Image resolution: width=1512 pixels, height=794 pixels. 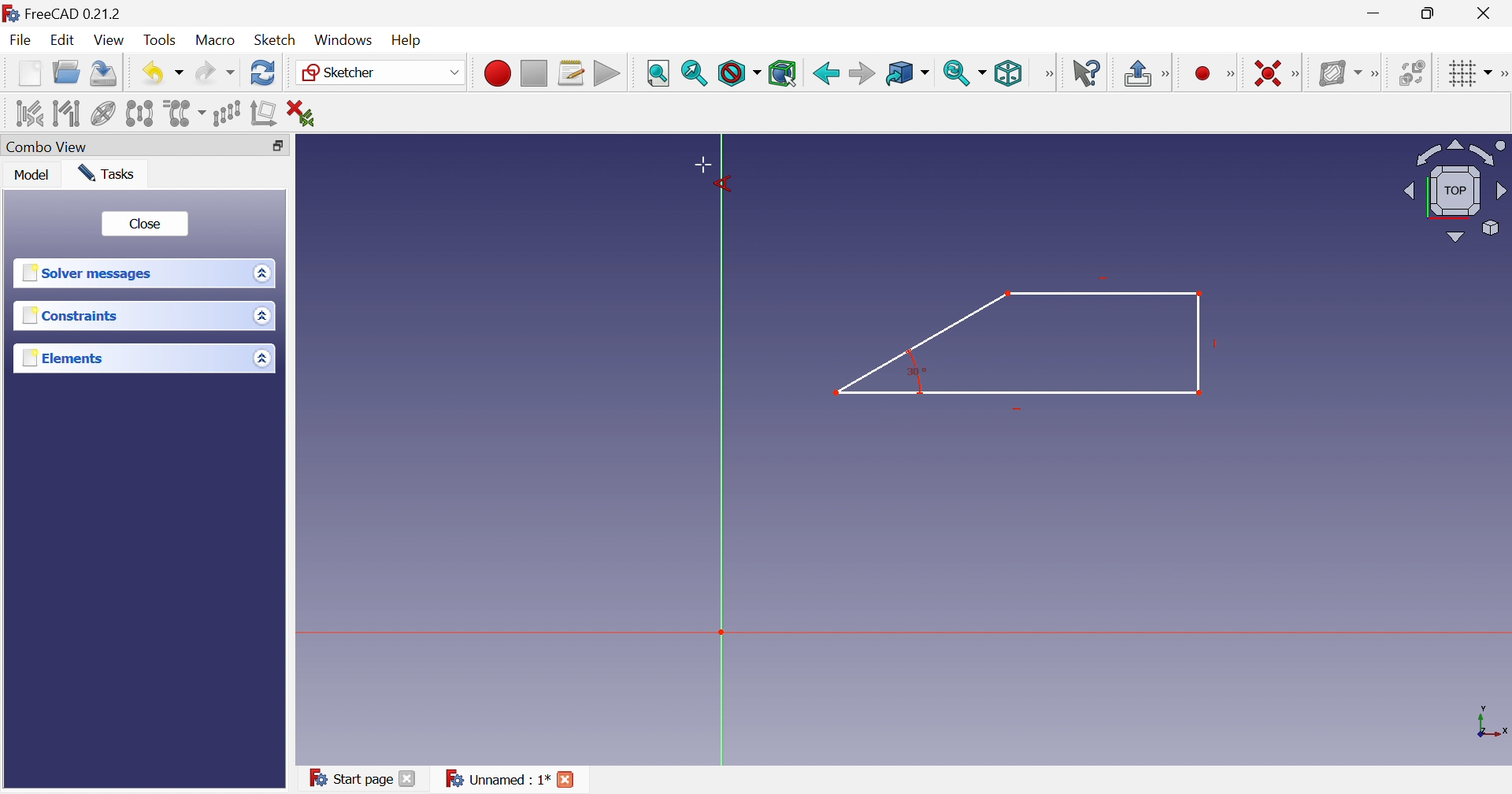 I want to click on Sketch, so click(x=276, y=40).